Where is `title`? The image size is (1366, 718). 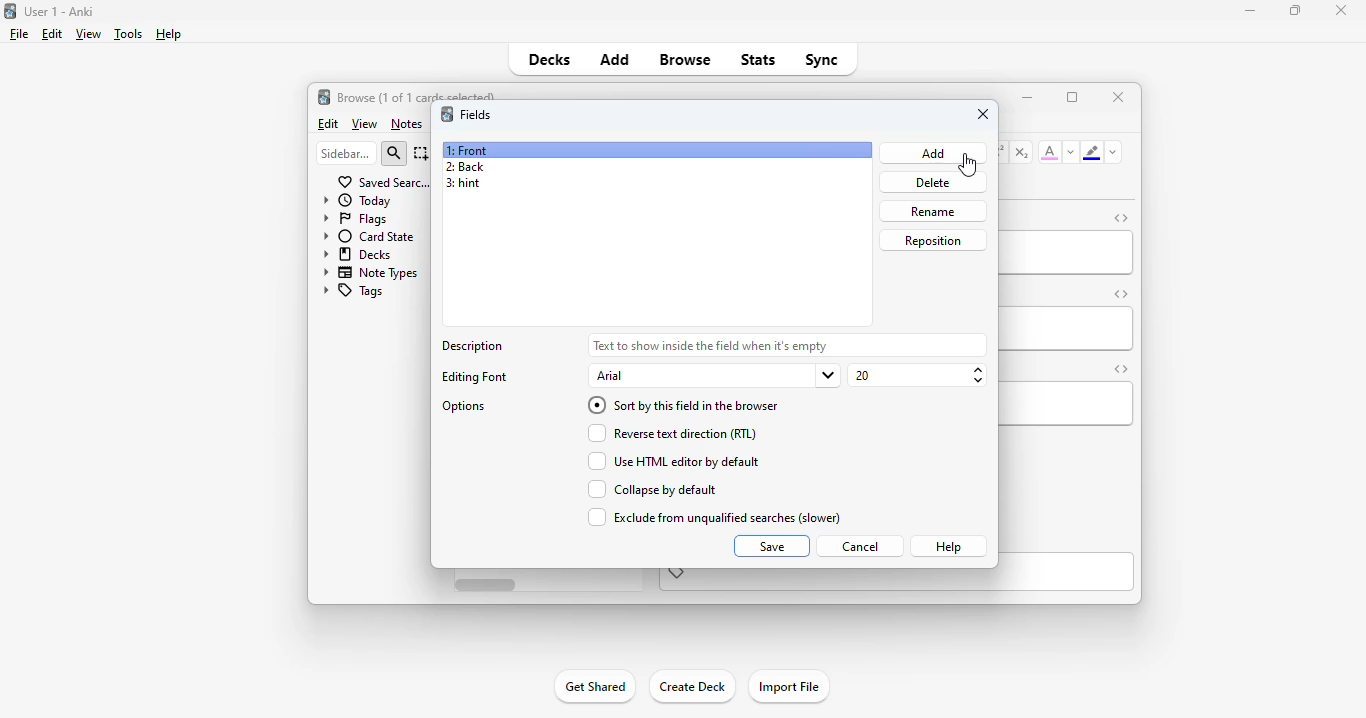 title is located at coordinates (60, 11).